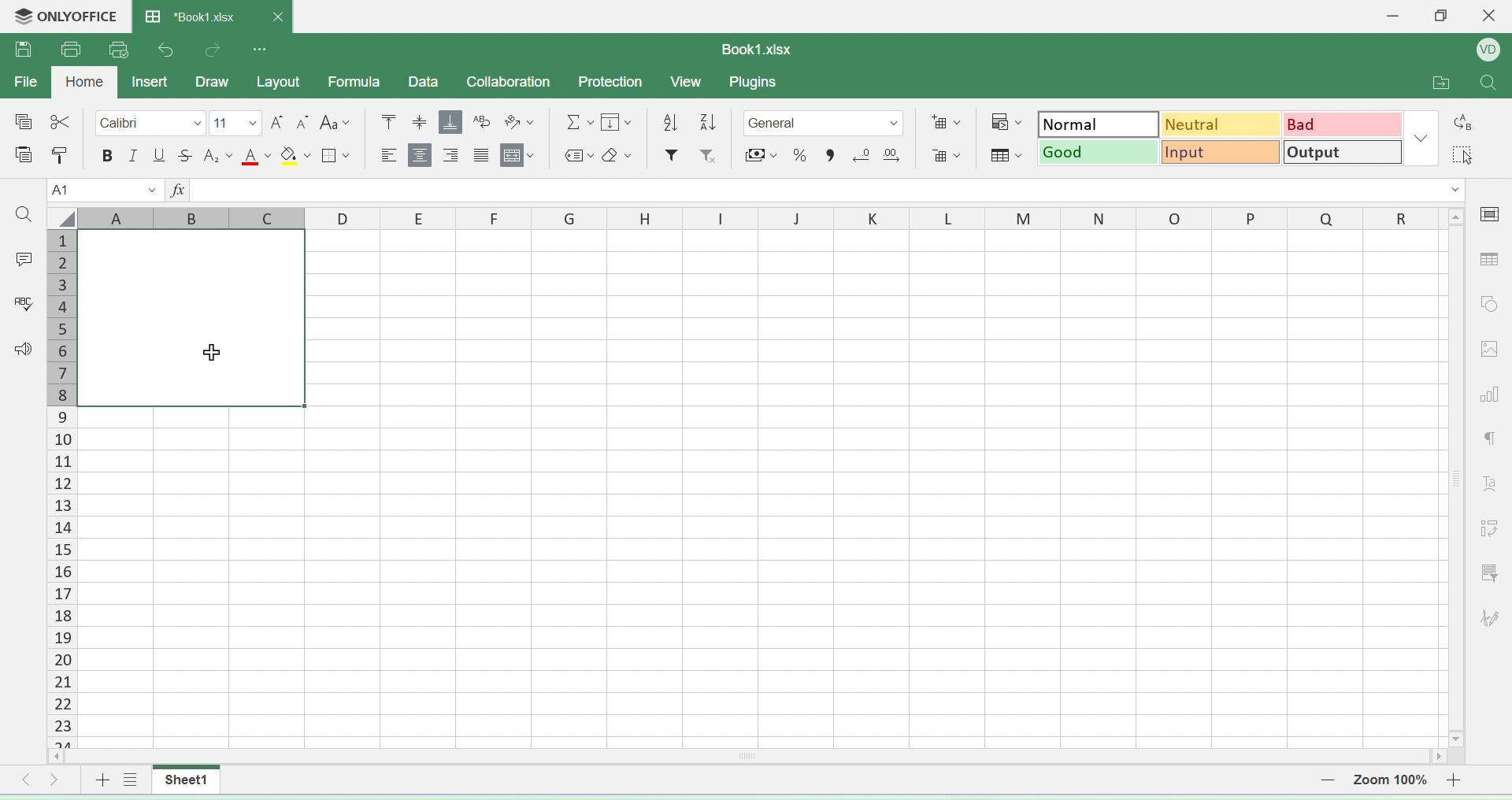 Image resolution: width=1512 pixels, height=800 pixels. Describe the element at coordinates (1489, 49) in the screenshot. I see `profile` at that location.